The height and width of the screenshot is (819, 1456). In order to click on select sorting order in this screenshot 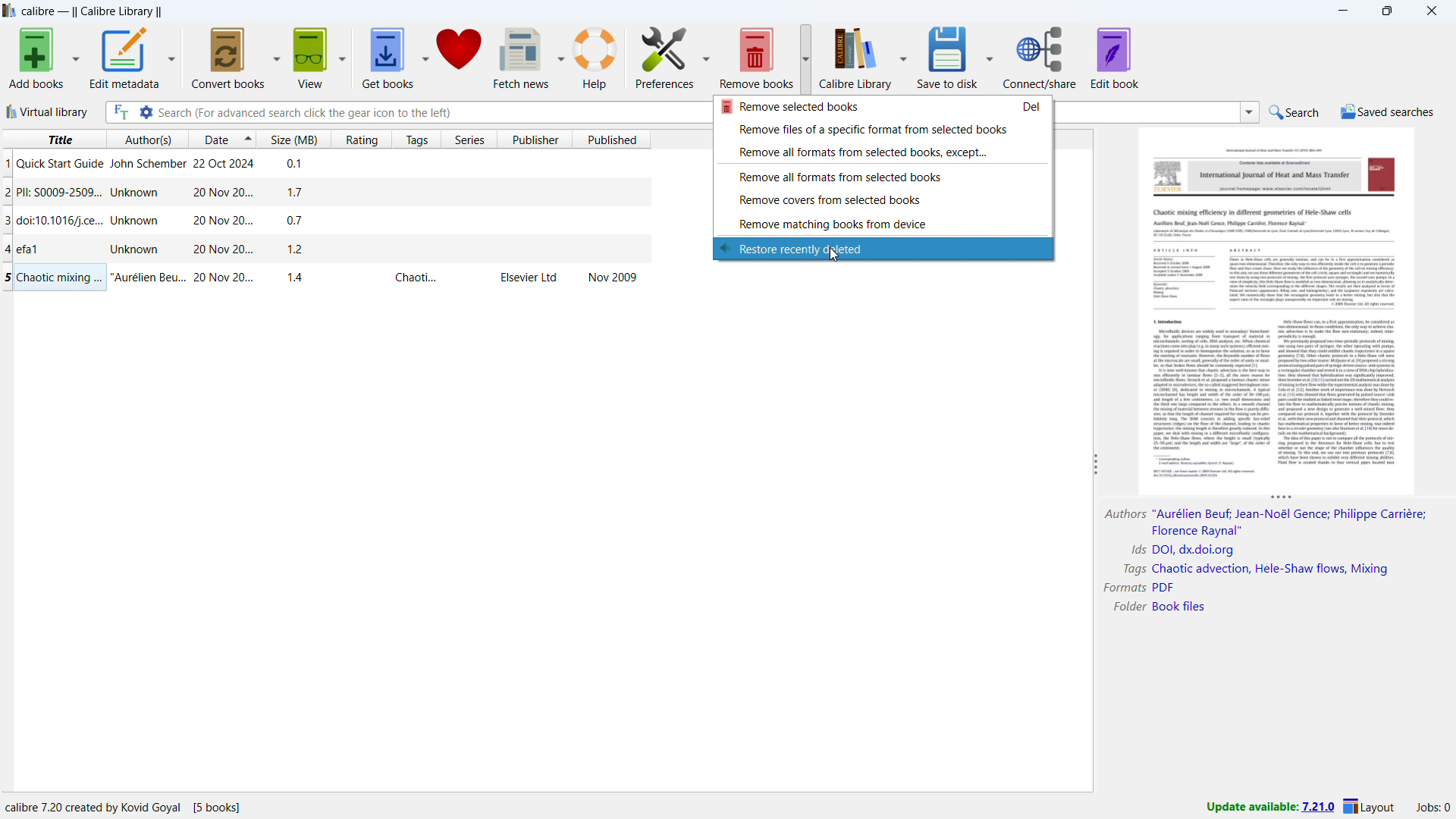, I will do `click(248, 139)`.